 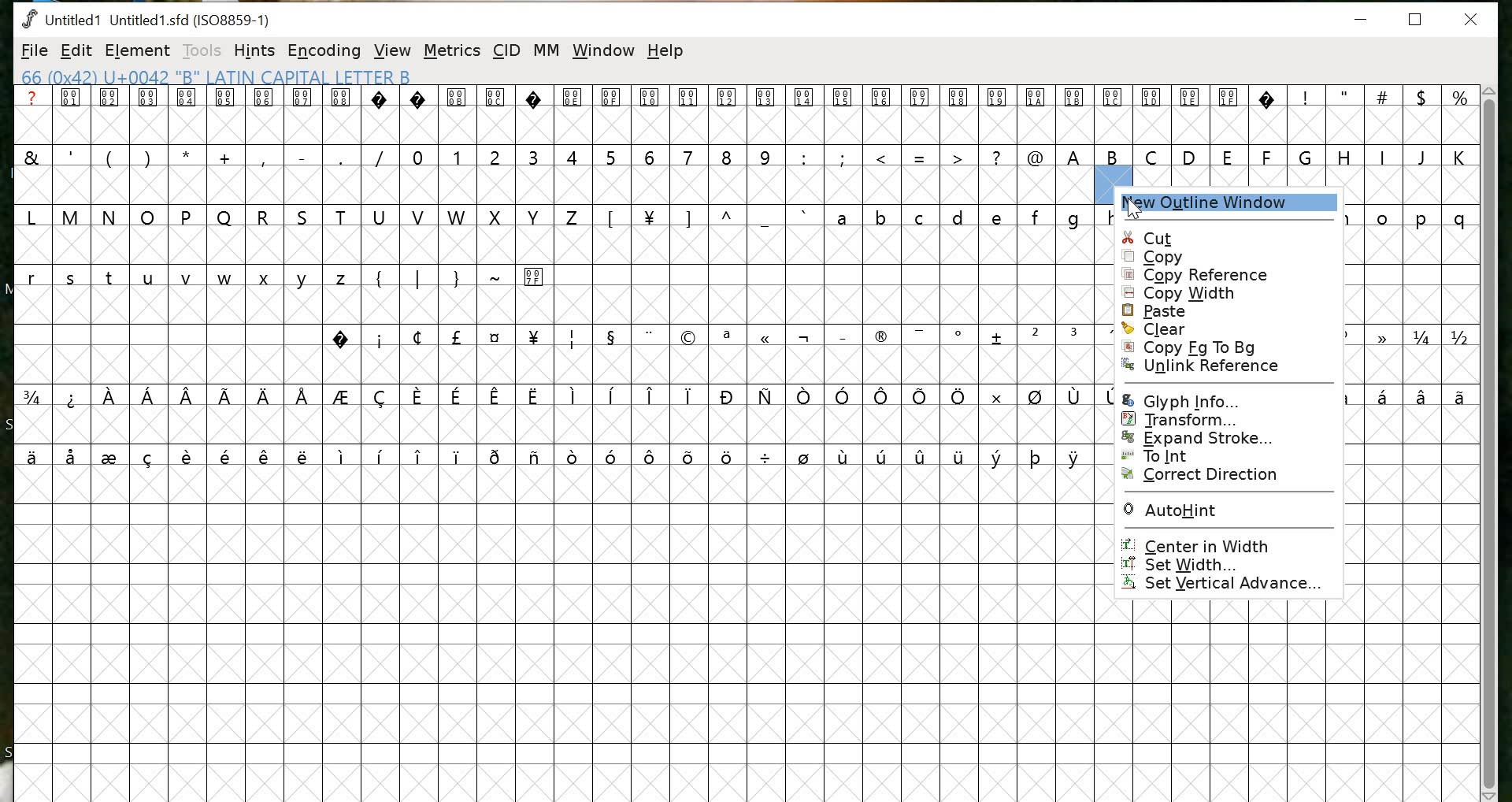 What do you see at coordinates (1489, 442) in the screenshot?
I see `scrollbar` at bounding box center [1489, 442].